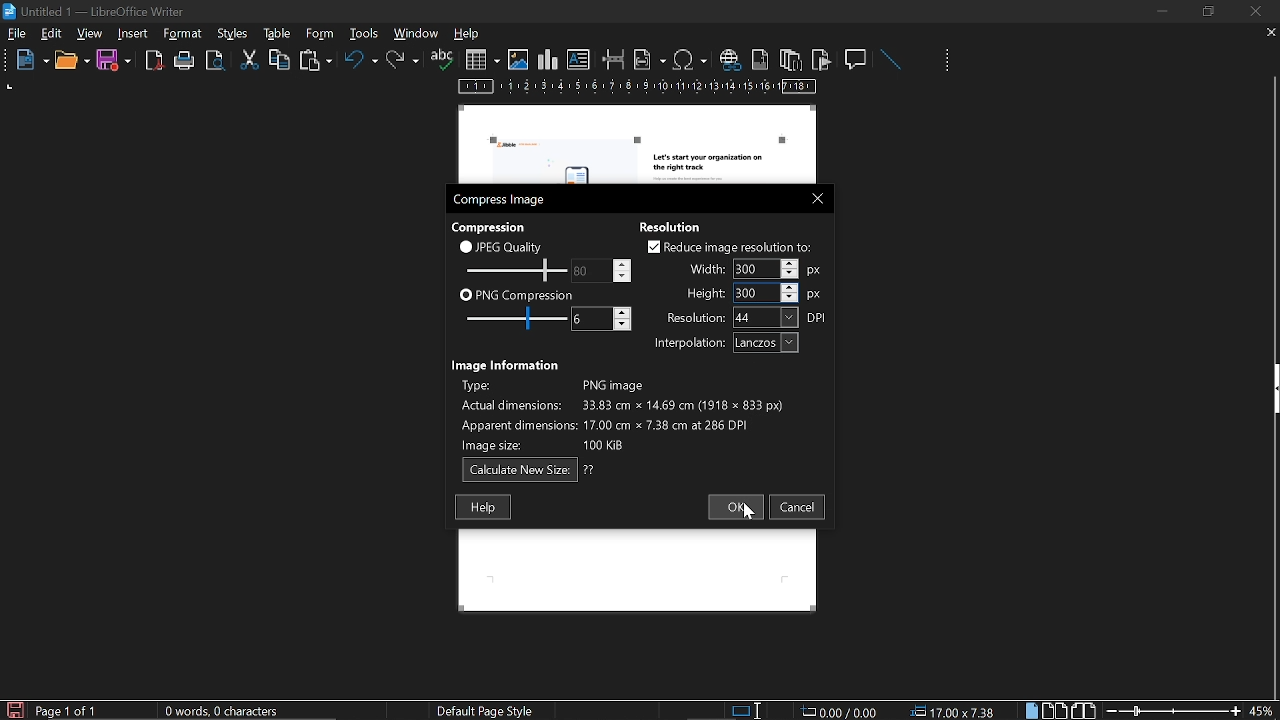  What do you see at coordinates (752, 269) in the screenshot?
I see `width change` at bounding box center [752, 269].